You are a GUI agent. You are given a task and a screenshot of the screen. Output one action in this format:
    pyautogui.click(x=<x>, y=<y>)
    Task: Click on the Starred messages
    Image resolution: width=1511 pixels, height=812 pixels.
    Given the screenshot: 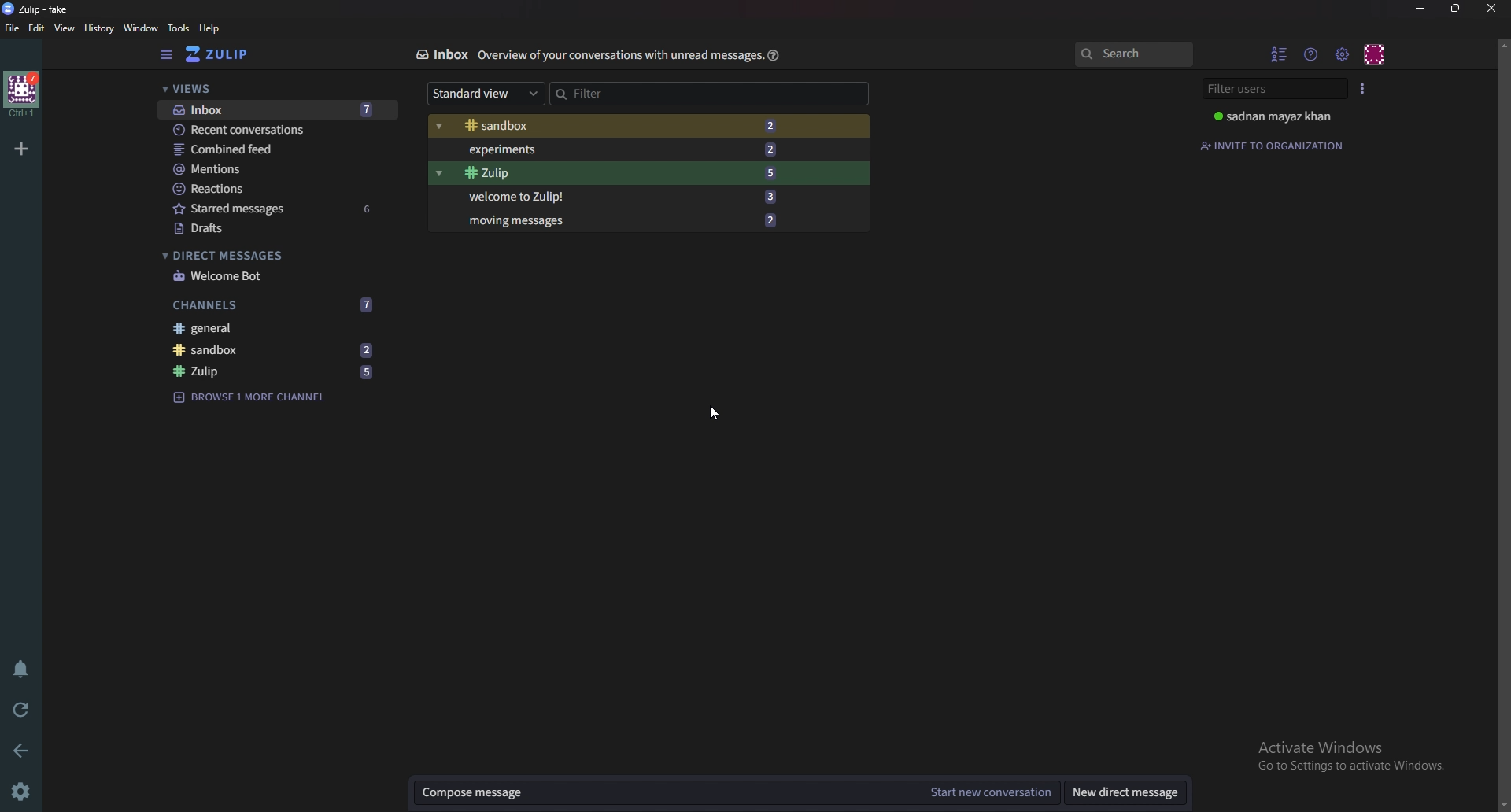 What is the action you would take?
    pyautogui.click(x=275, y=209)
    